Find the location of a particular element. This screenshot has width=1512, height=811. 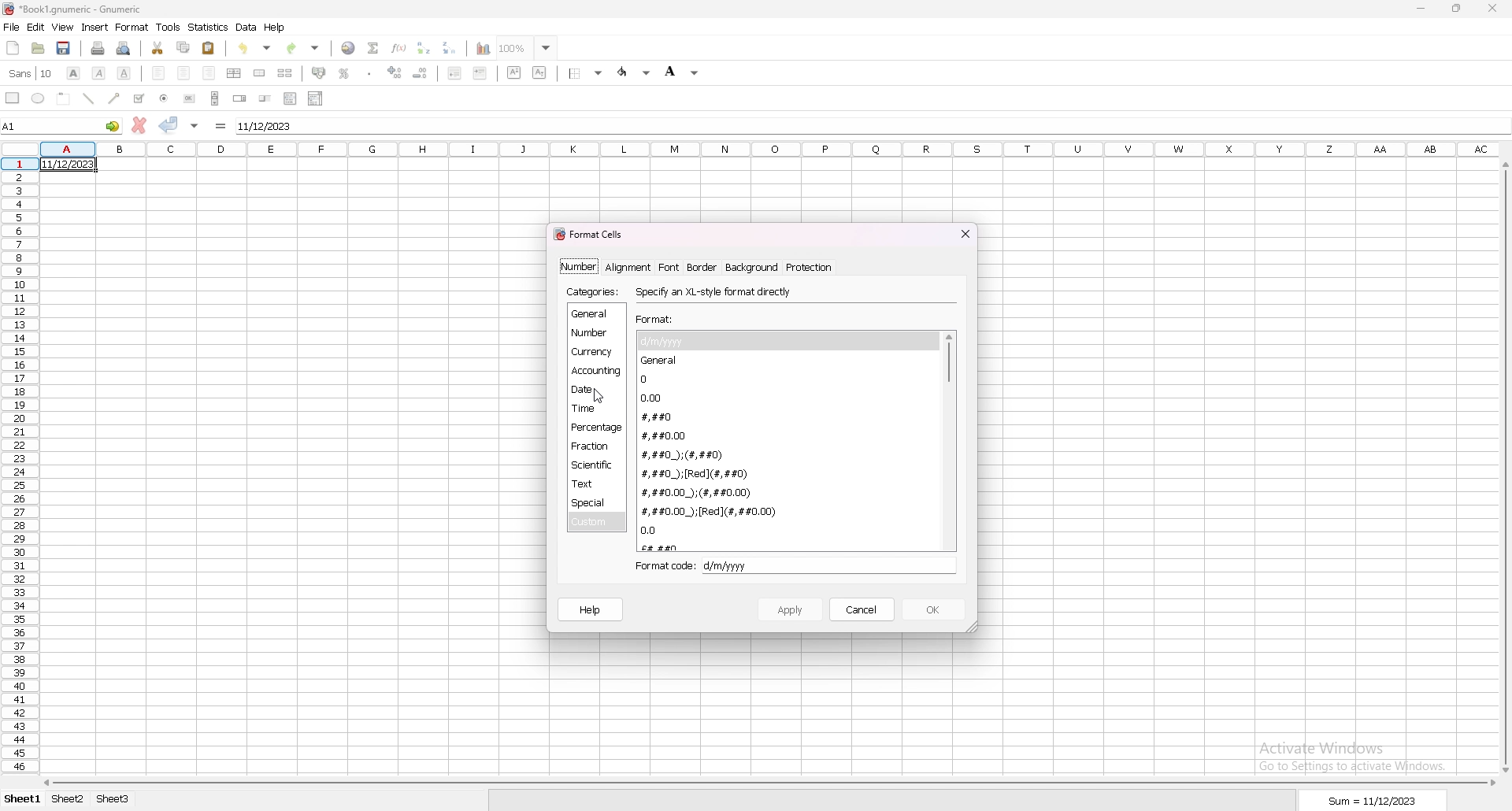

tools is located at coordinates (168, 28).